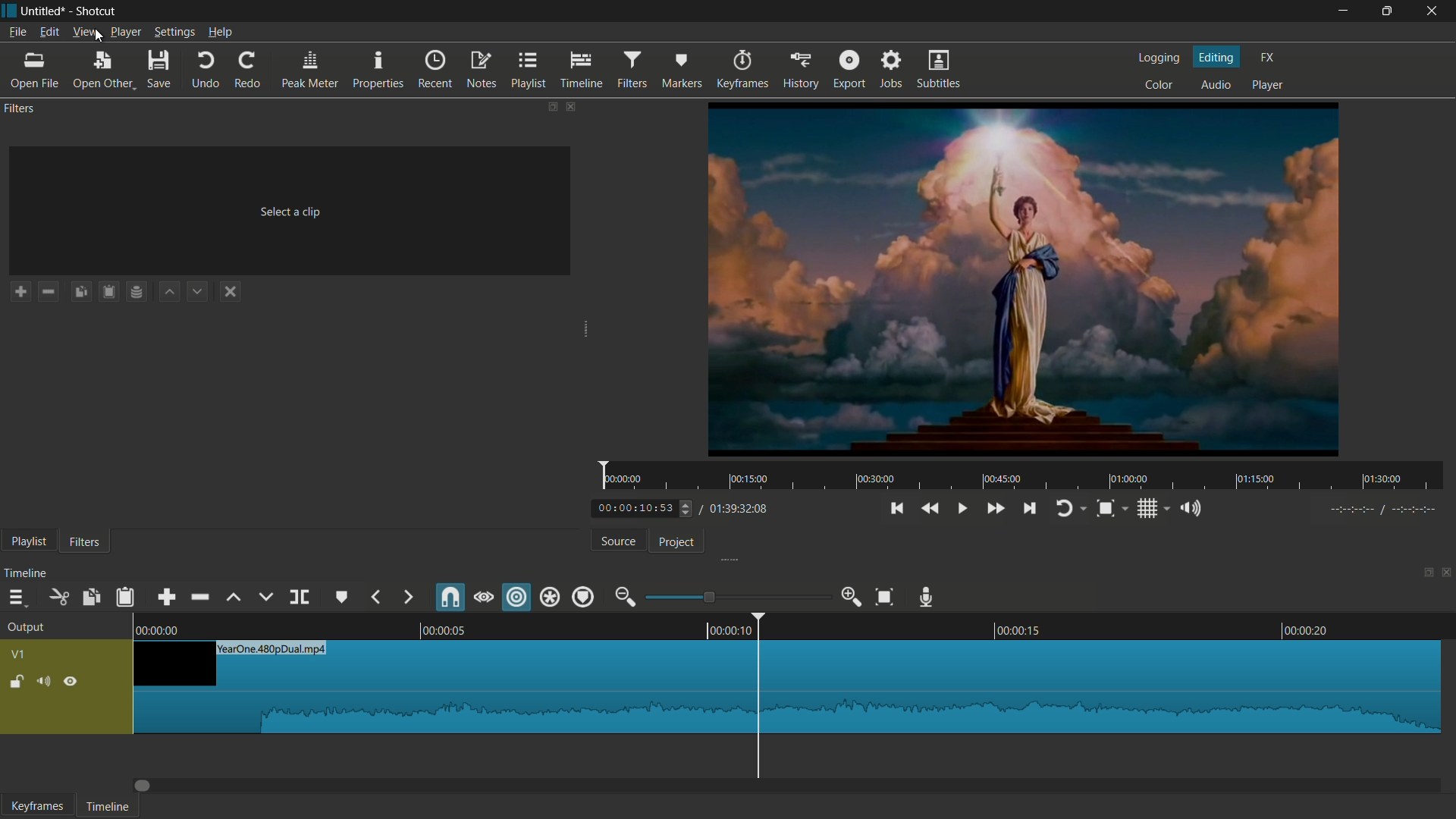 The image size is (1456, 819). Describe the element at coordinates (849, 71) in the screenshot. I see `export` at that location.